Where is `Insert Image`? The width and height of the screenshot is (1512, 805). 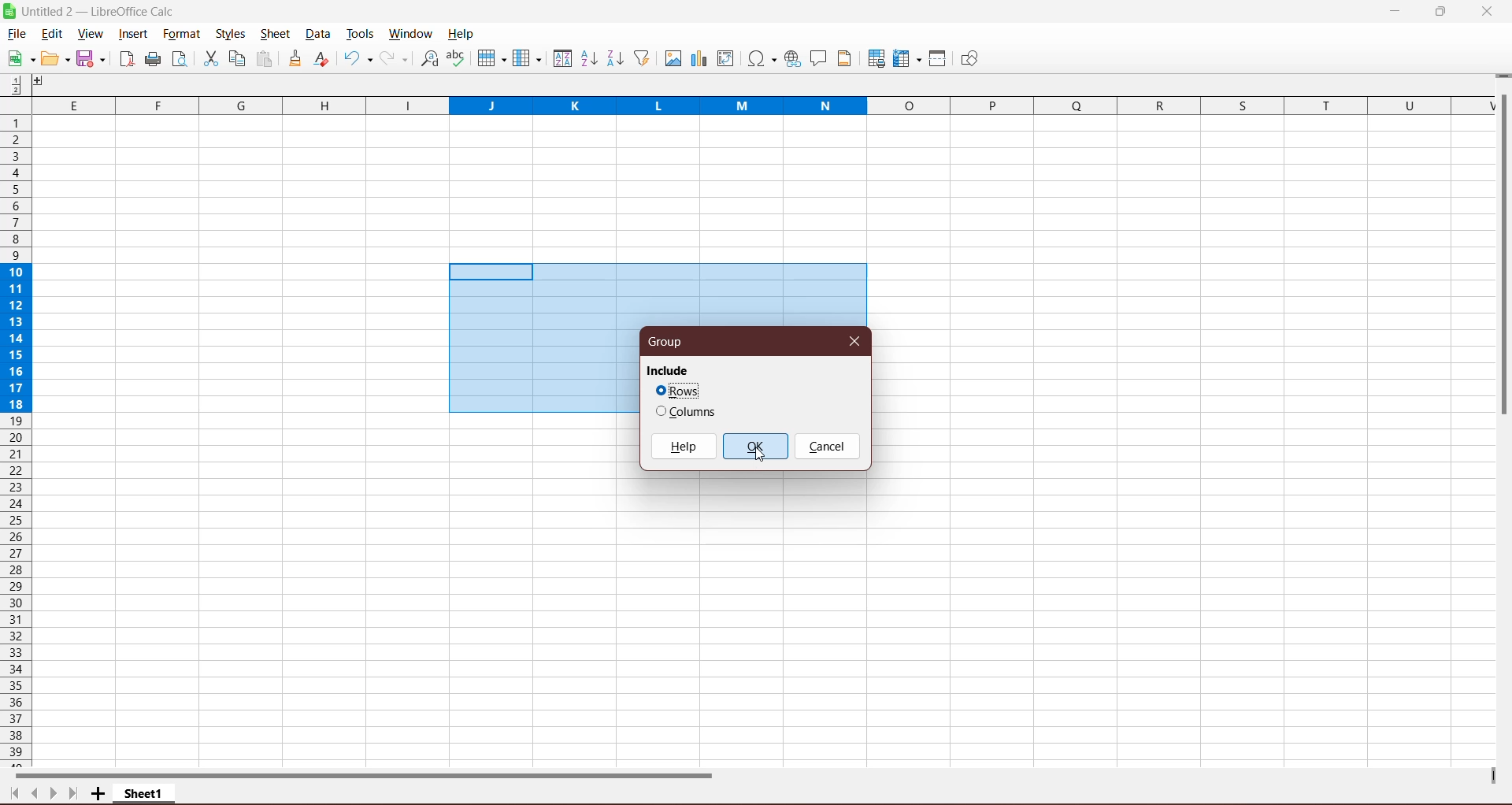 Insert Image is located at coordinates (672, 59).